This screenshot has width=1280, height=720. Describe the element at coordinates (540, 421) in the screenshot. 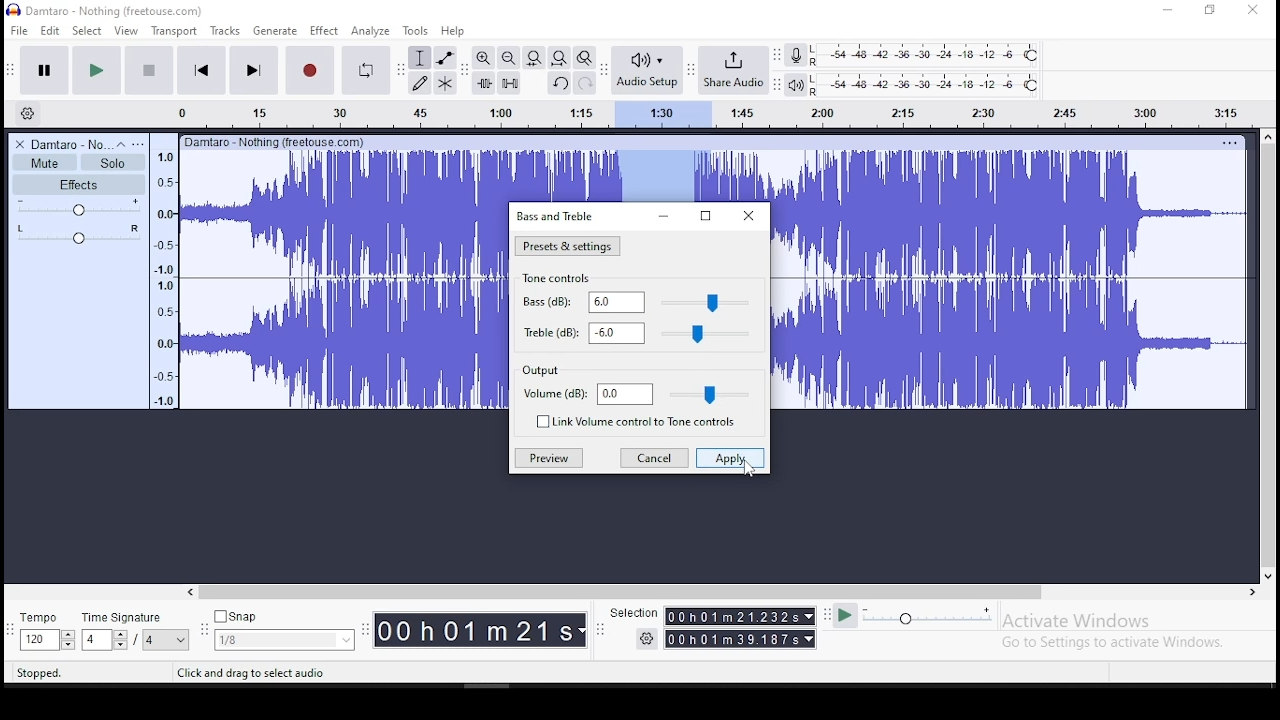

I see `unchecked` at that location.